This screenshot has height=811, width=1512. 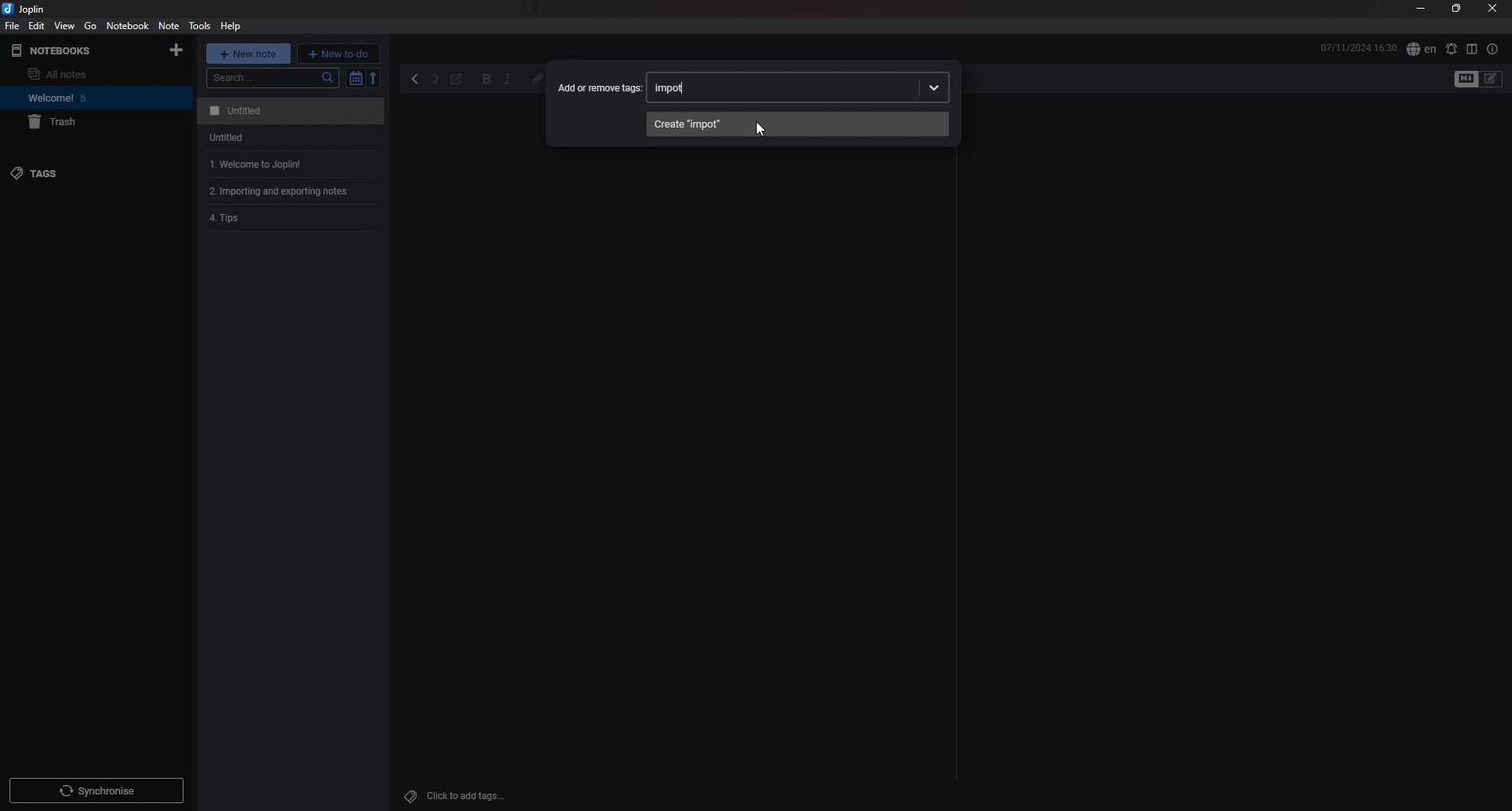 What do you see at coordinates (198, 26) in the screenshot?
I see `tools` at bounding box center [198, 26].